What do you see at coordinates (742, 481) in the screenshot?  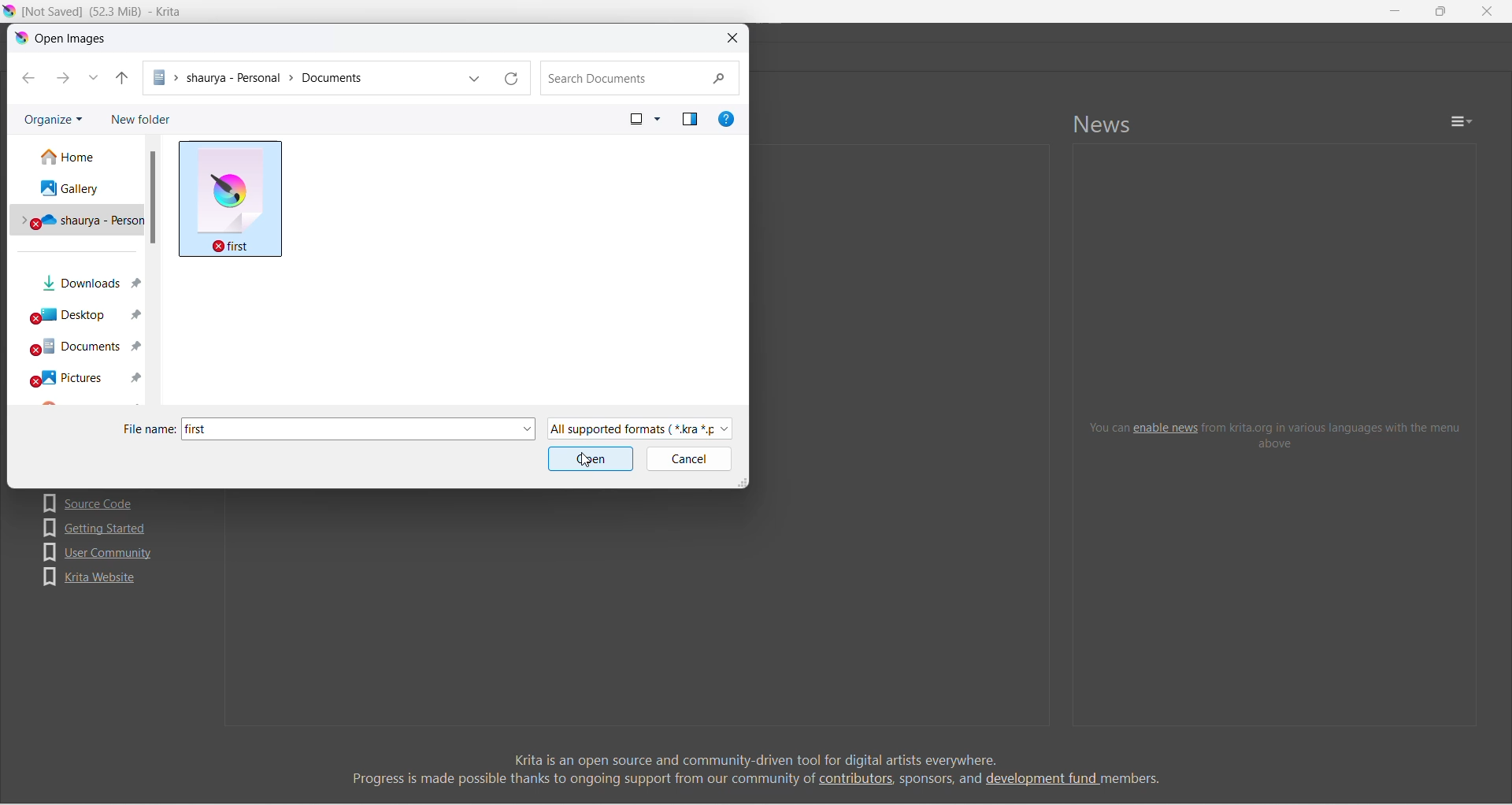 I see `Change dimension of window` at bounding box center [742, 481].